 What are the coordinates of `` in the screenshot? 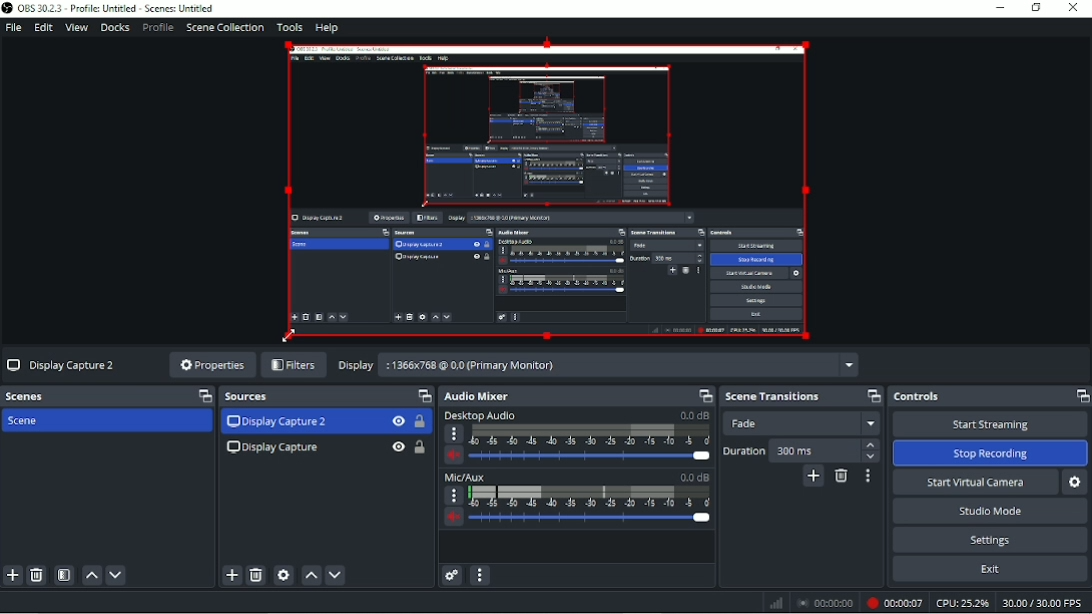 It's located at (98, 919).